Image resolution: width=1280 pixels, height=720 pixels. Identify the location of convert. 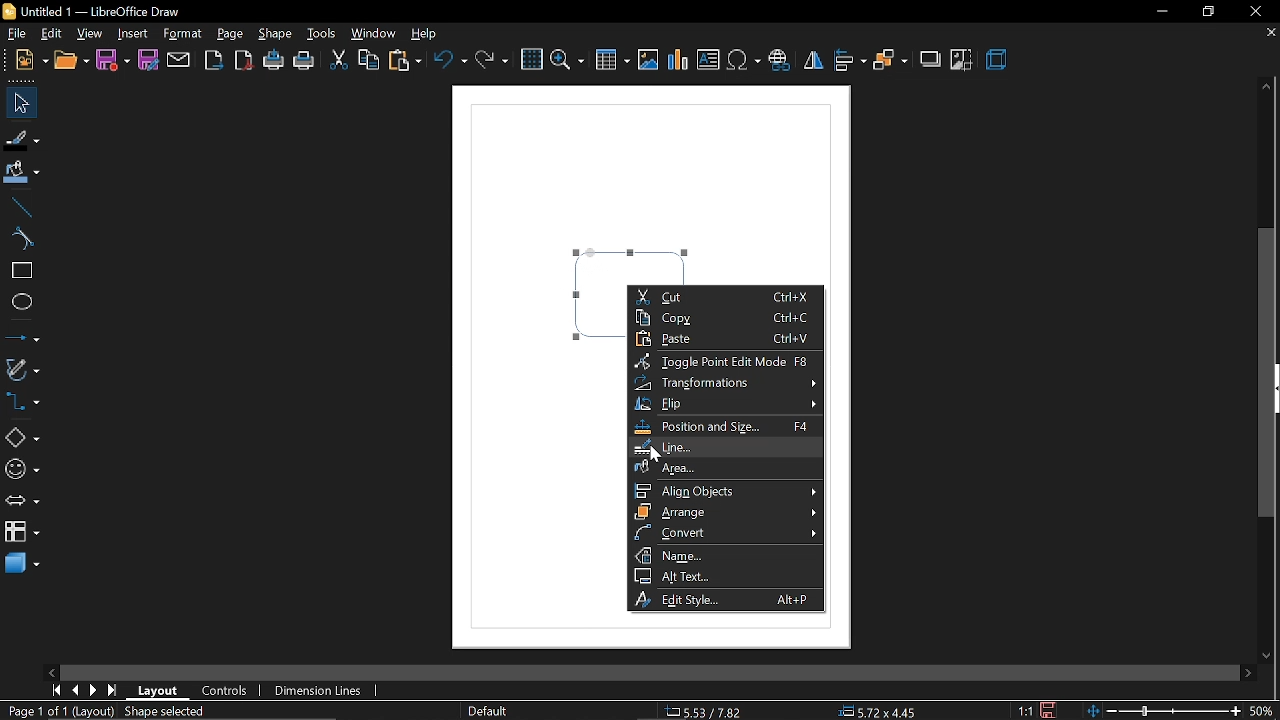
(726, 532).